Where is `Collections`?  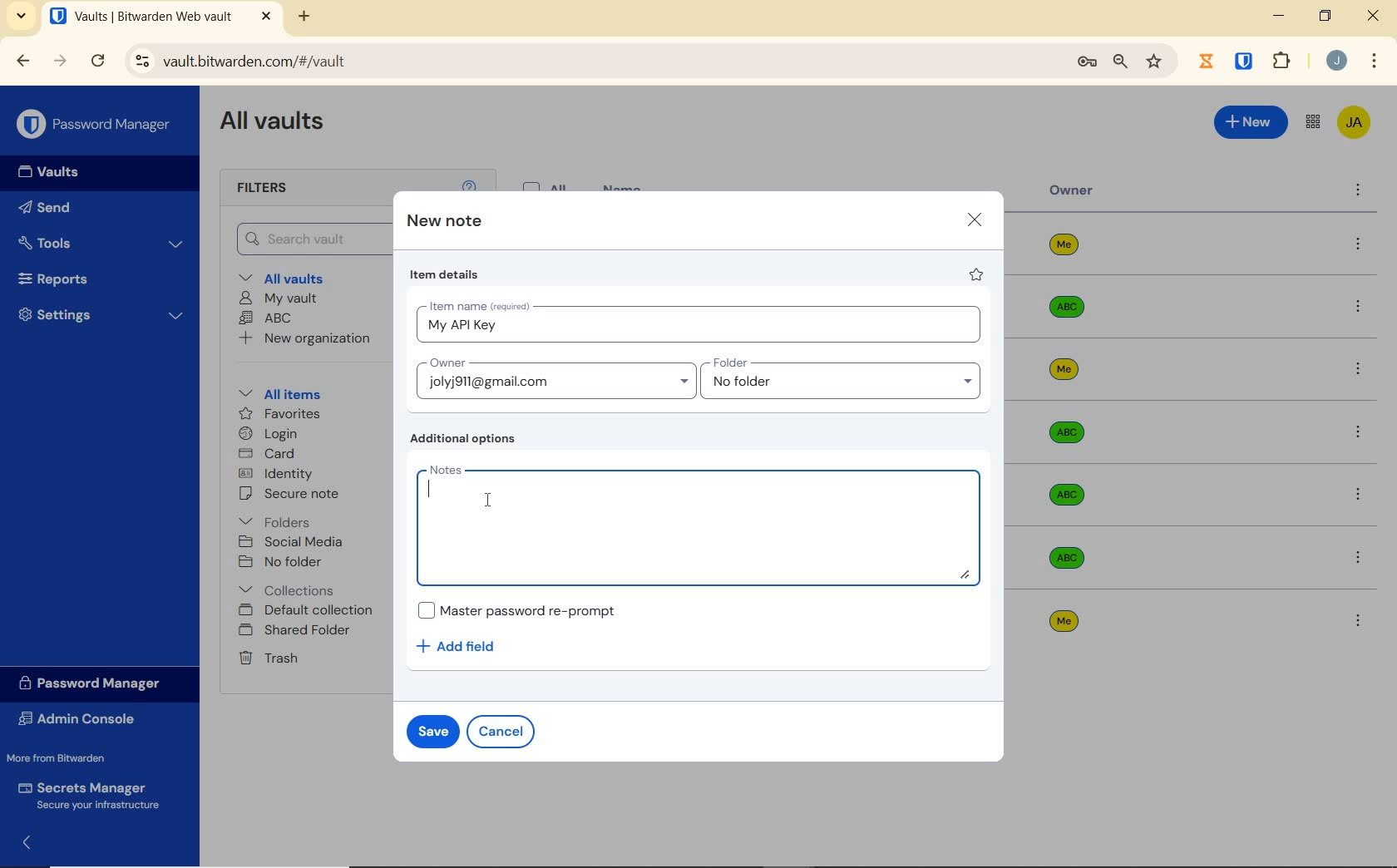
Collections is located at coordinates (290, 587).